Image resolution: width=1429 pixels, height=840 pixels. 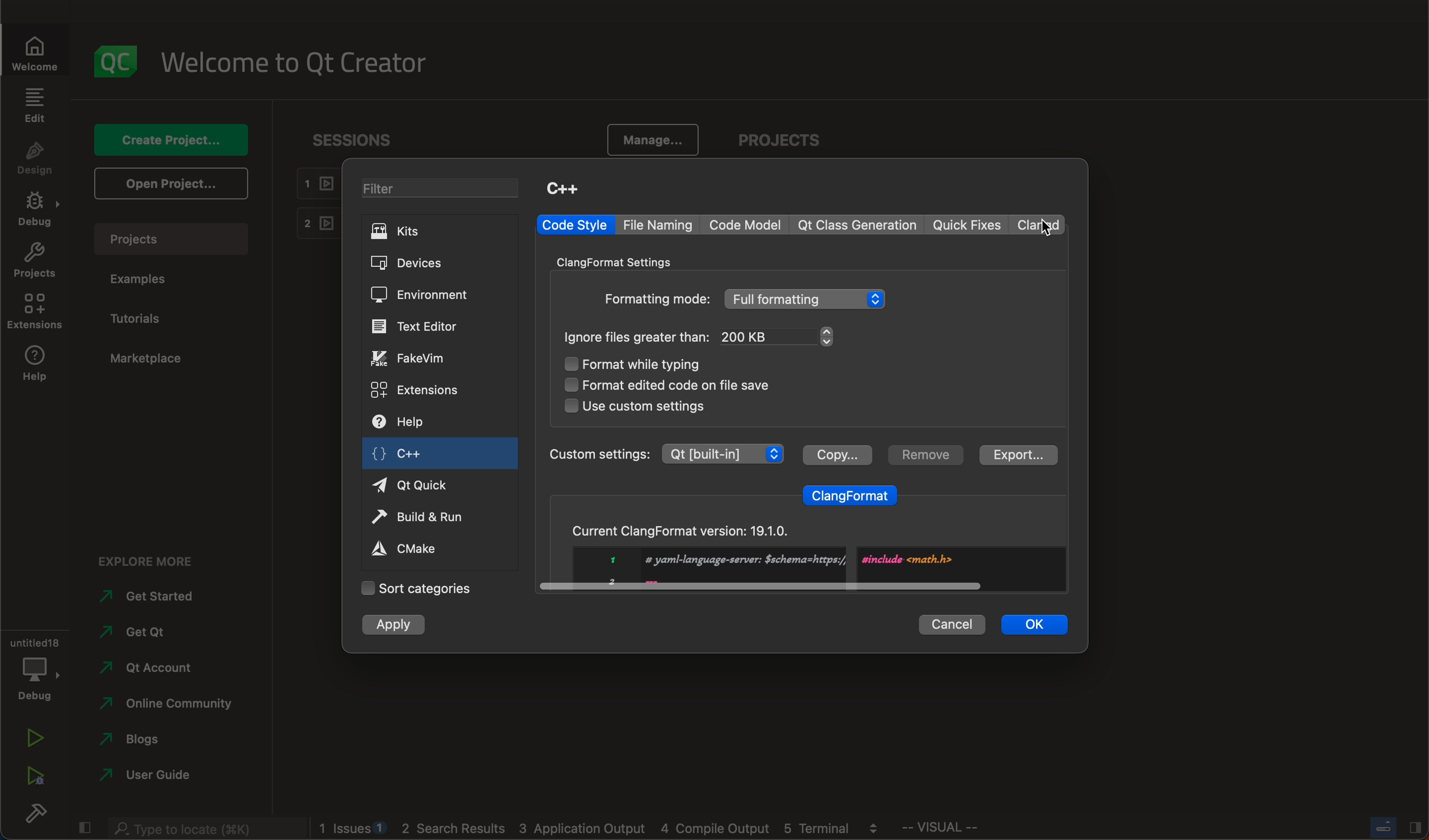 What do you see at coordinates (425, 234) in the screenshot?
I see `KITS` at bounding box center [425, 234].